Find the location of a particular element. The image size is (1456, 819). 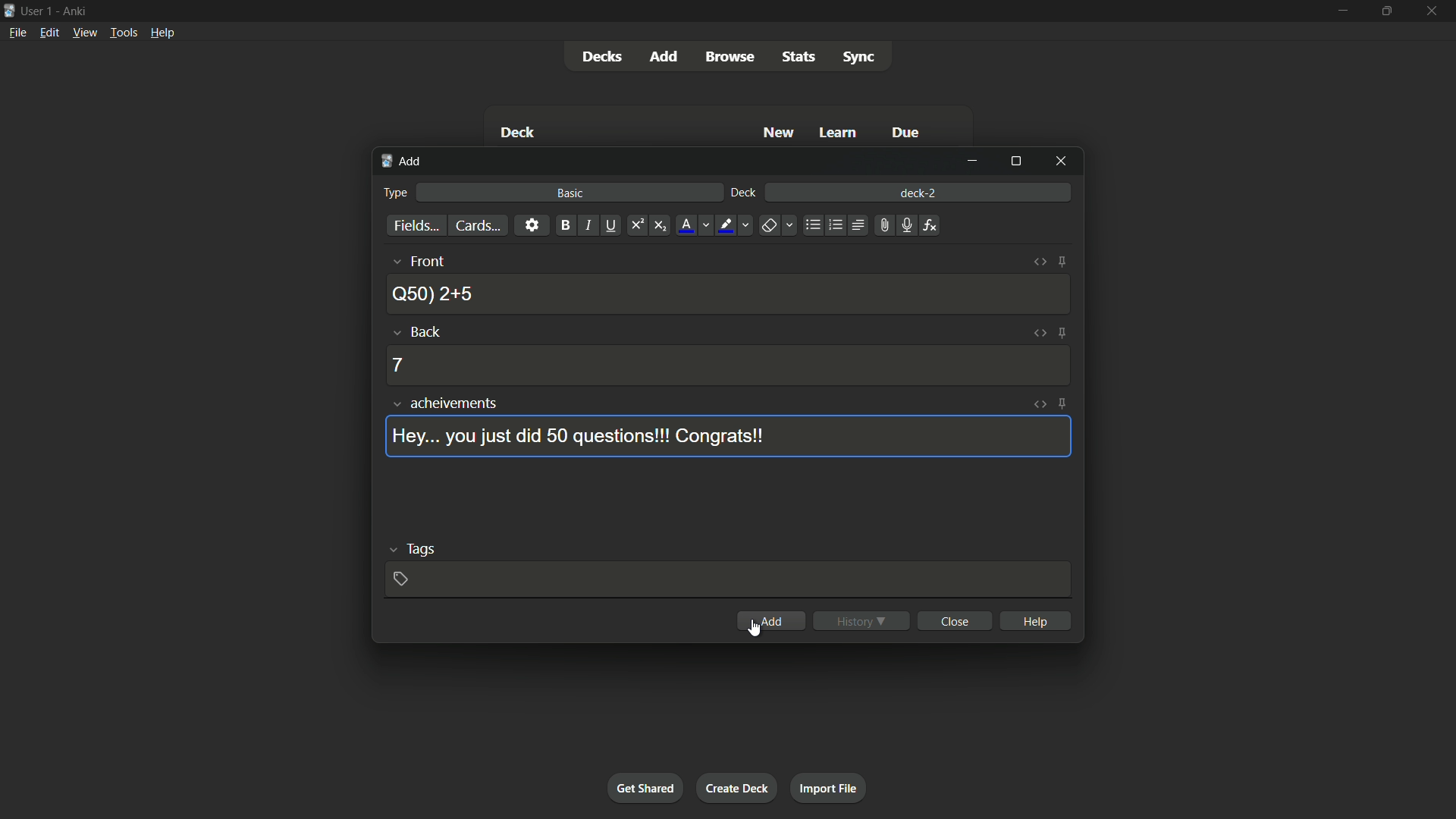

underline is located at coordinates (611, 225).